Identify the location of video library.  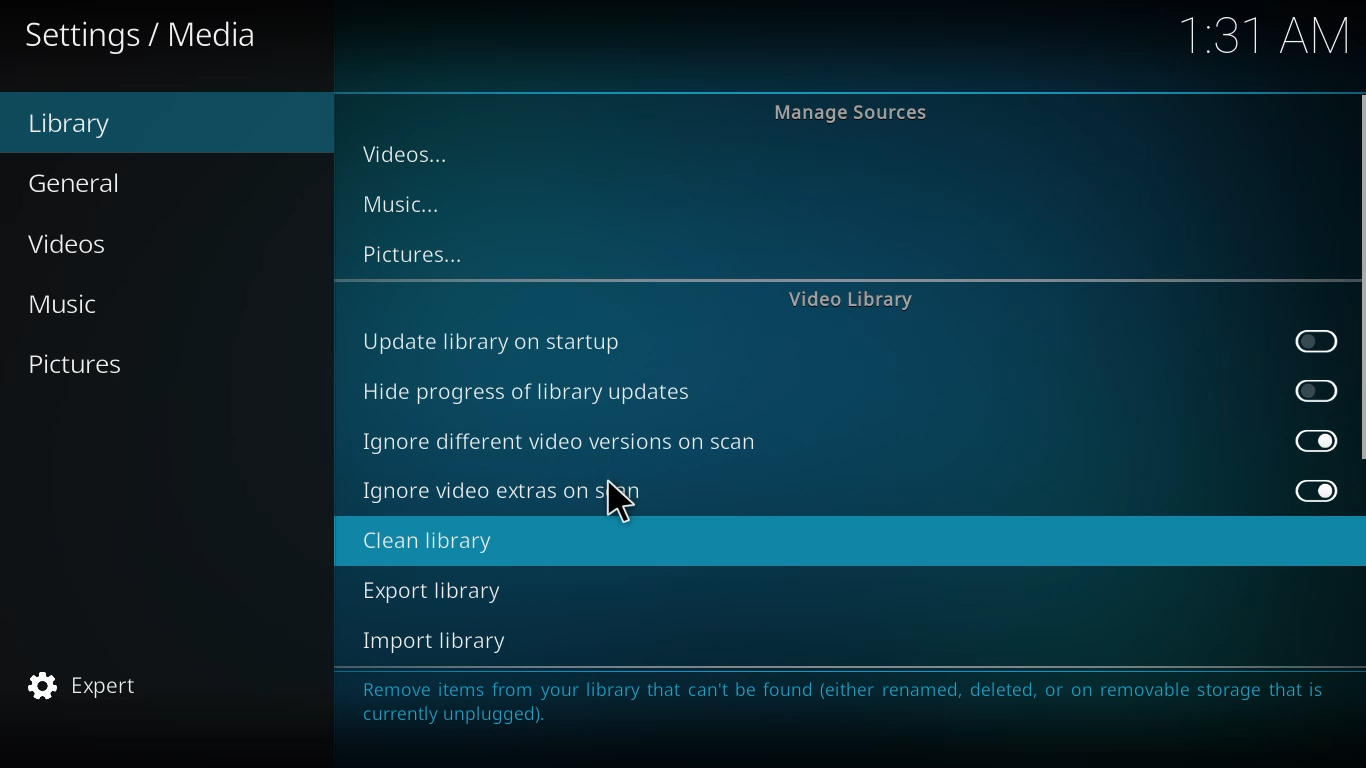
(845, 301).